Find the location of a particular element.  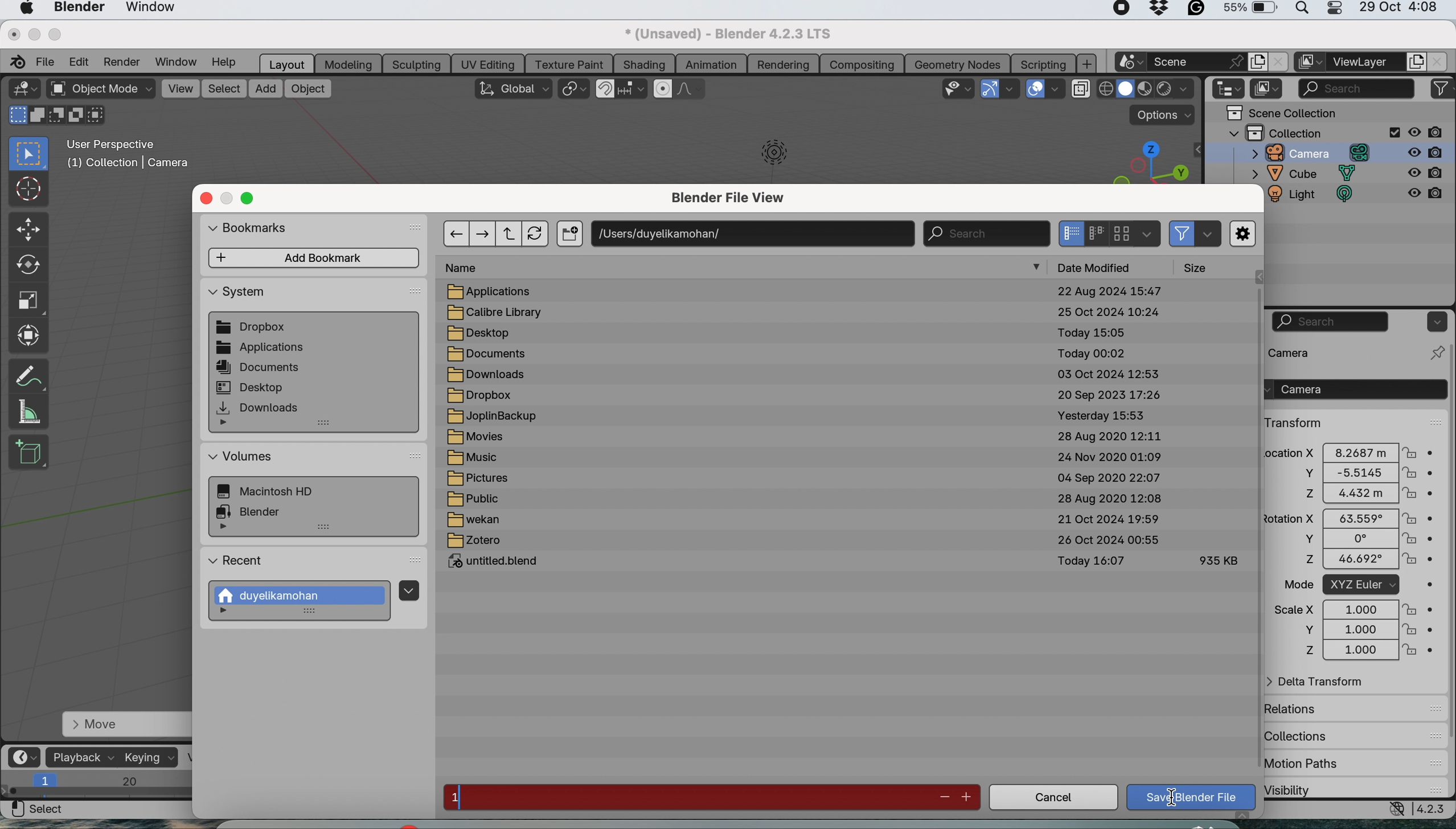

downloads is located at coordinates (486, 374).